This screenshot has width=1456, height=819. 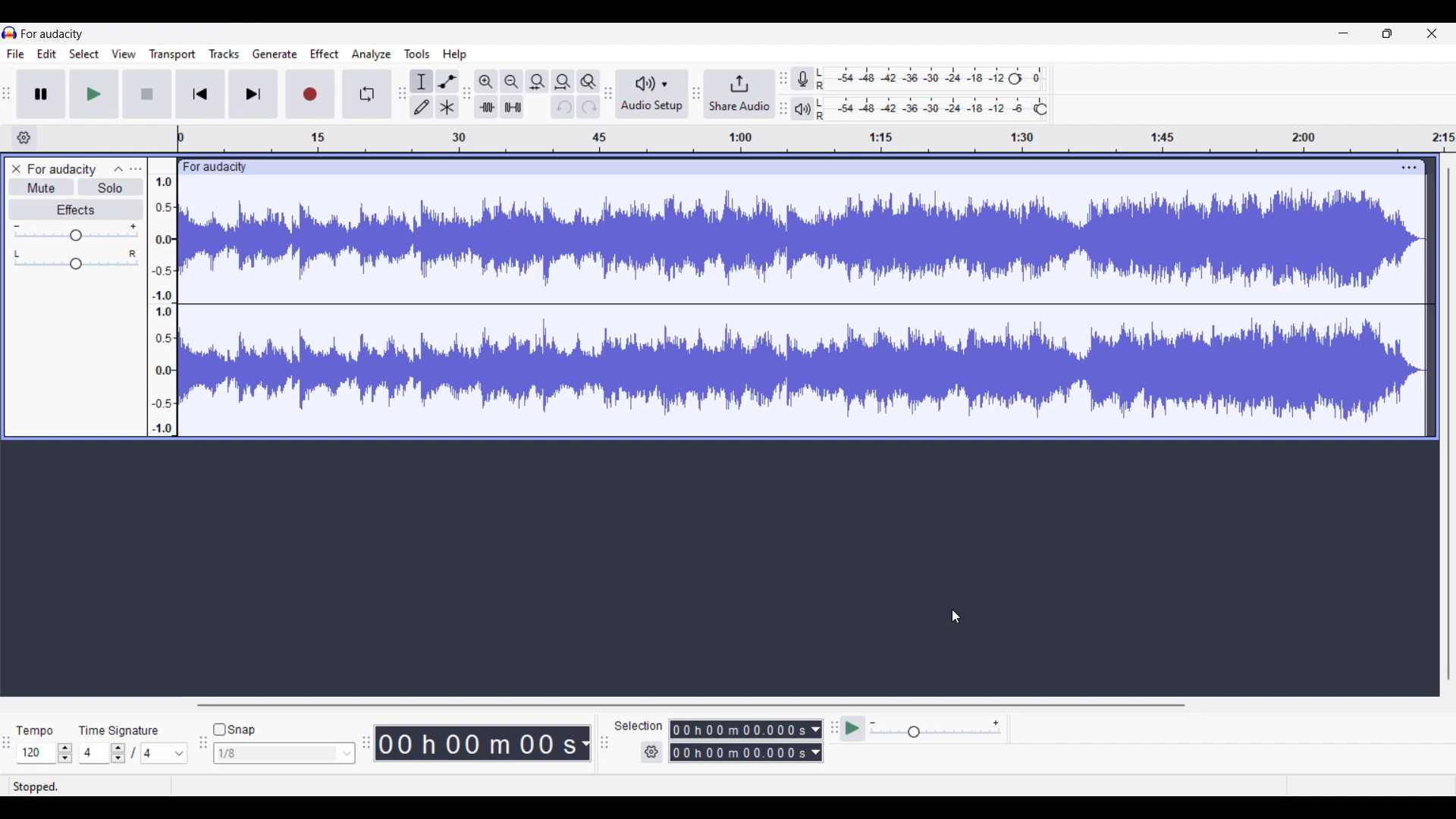 What do you see at coordinates (118, 169) in the screenshot?
I see `Collapse` at bounding box center [118, 169].